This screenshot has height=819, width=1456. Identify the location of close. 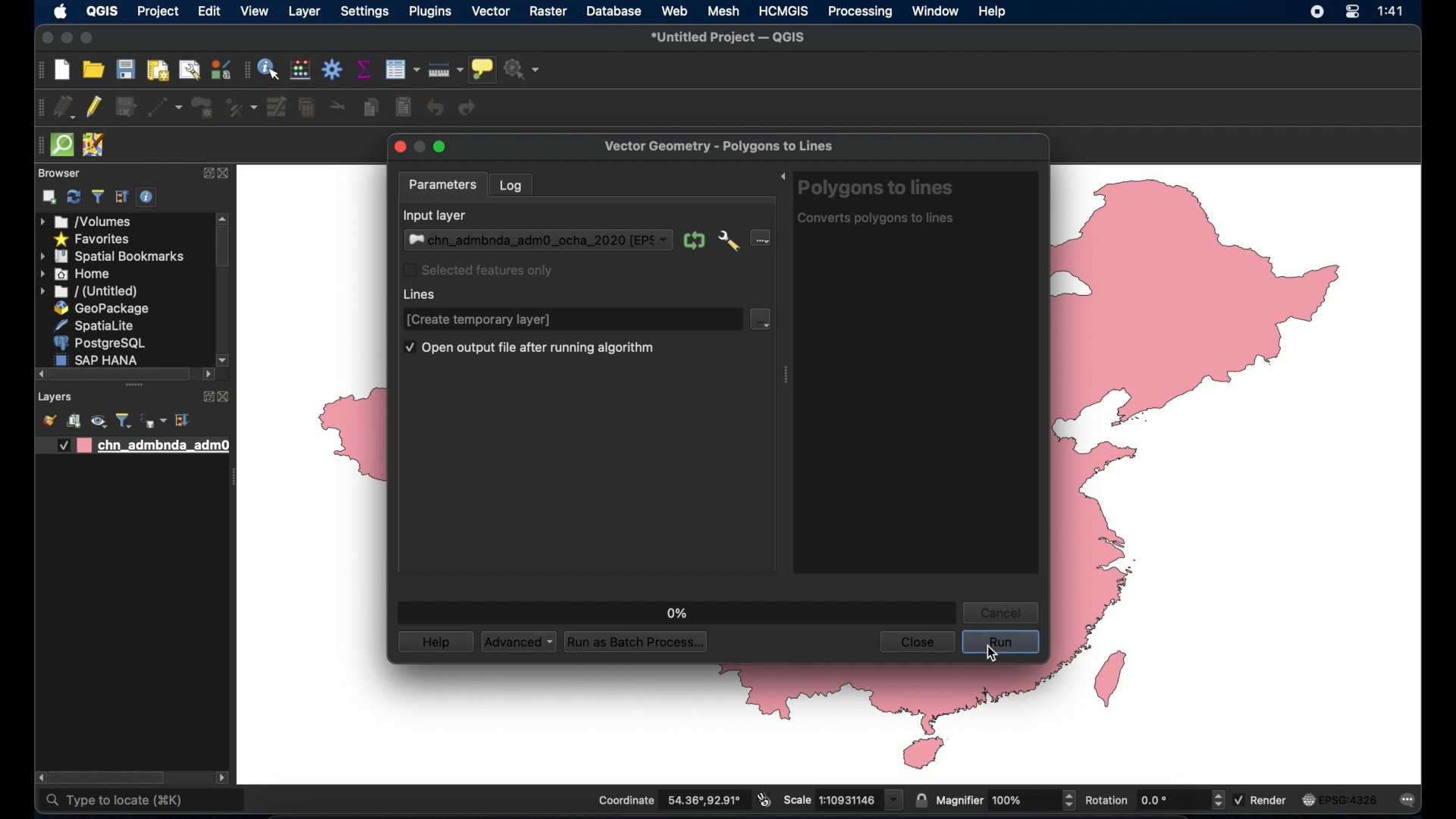
(915, 641).